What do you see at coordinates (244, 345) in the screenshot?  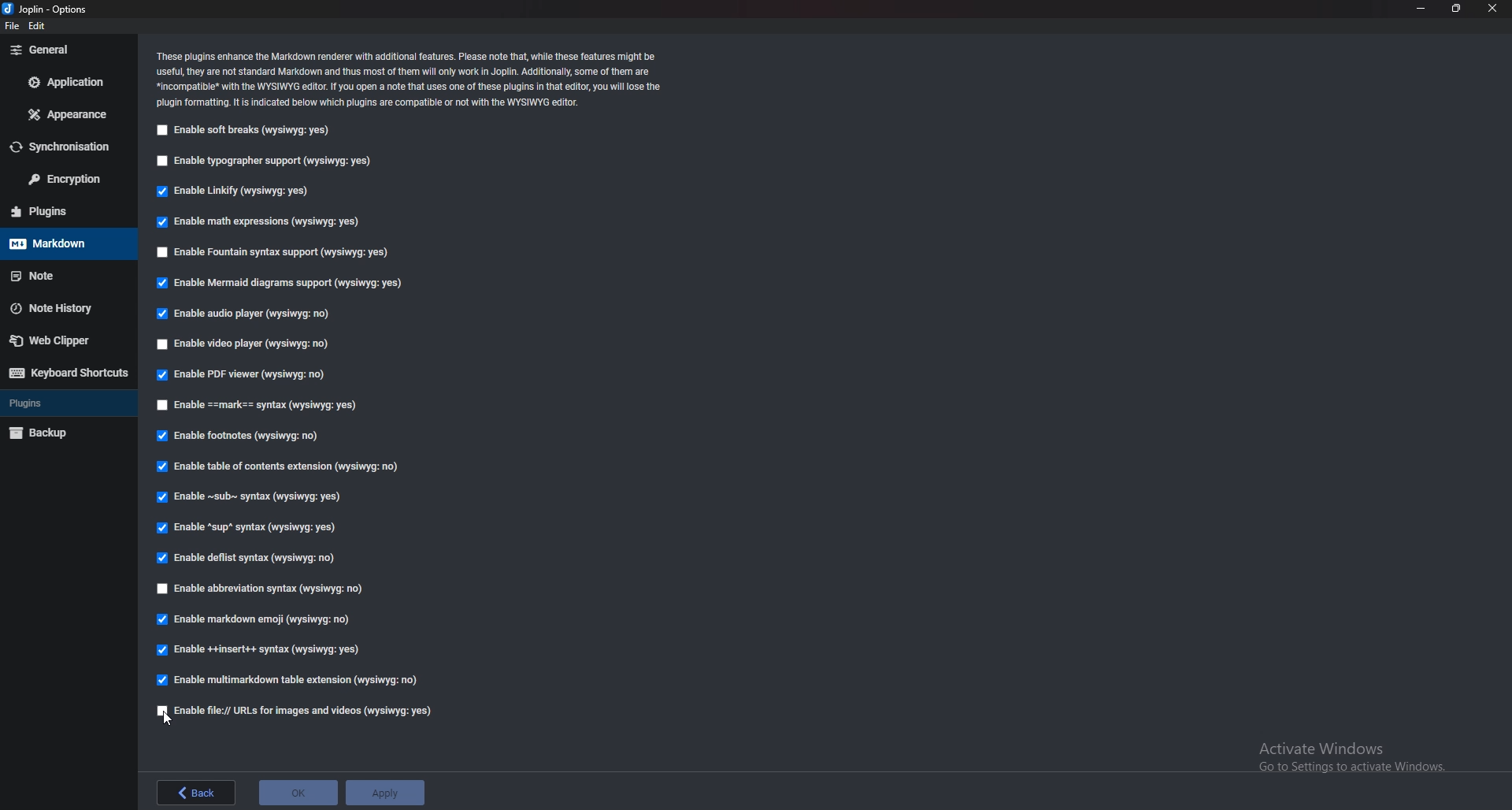 I see `Enable video player` at bounding box center [244, 345].